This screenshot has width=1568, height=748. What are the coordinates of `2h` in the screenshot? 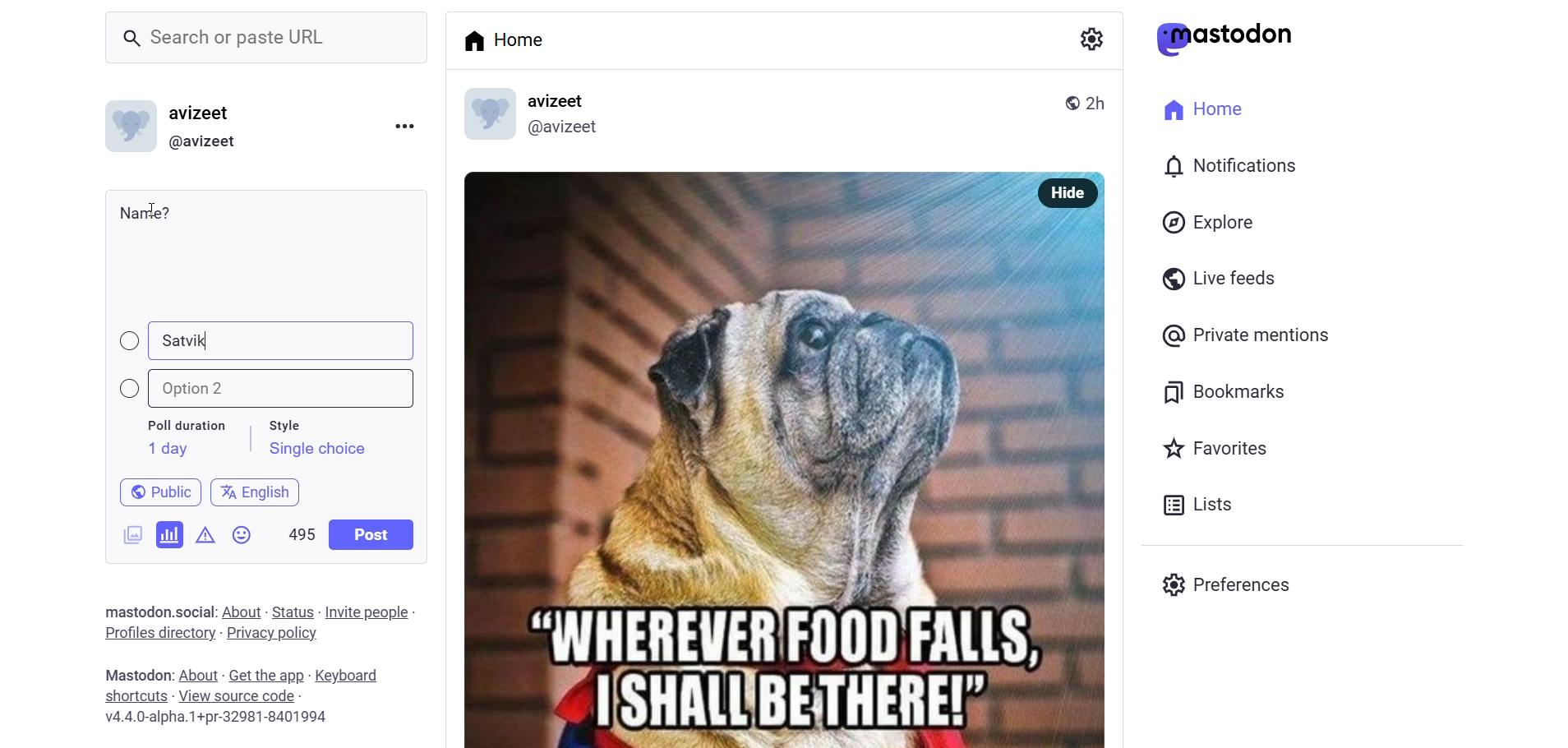 It's located at (1102, 95).